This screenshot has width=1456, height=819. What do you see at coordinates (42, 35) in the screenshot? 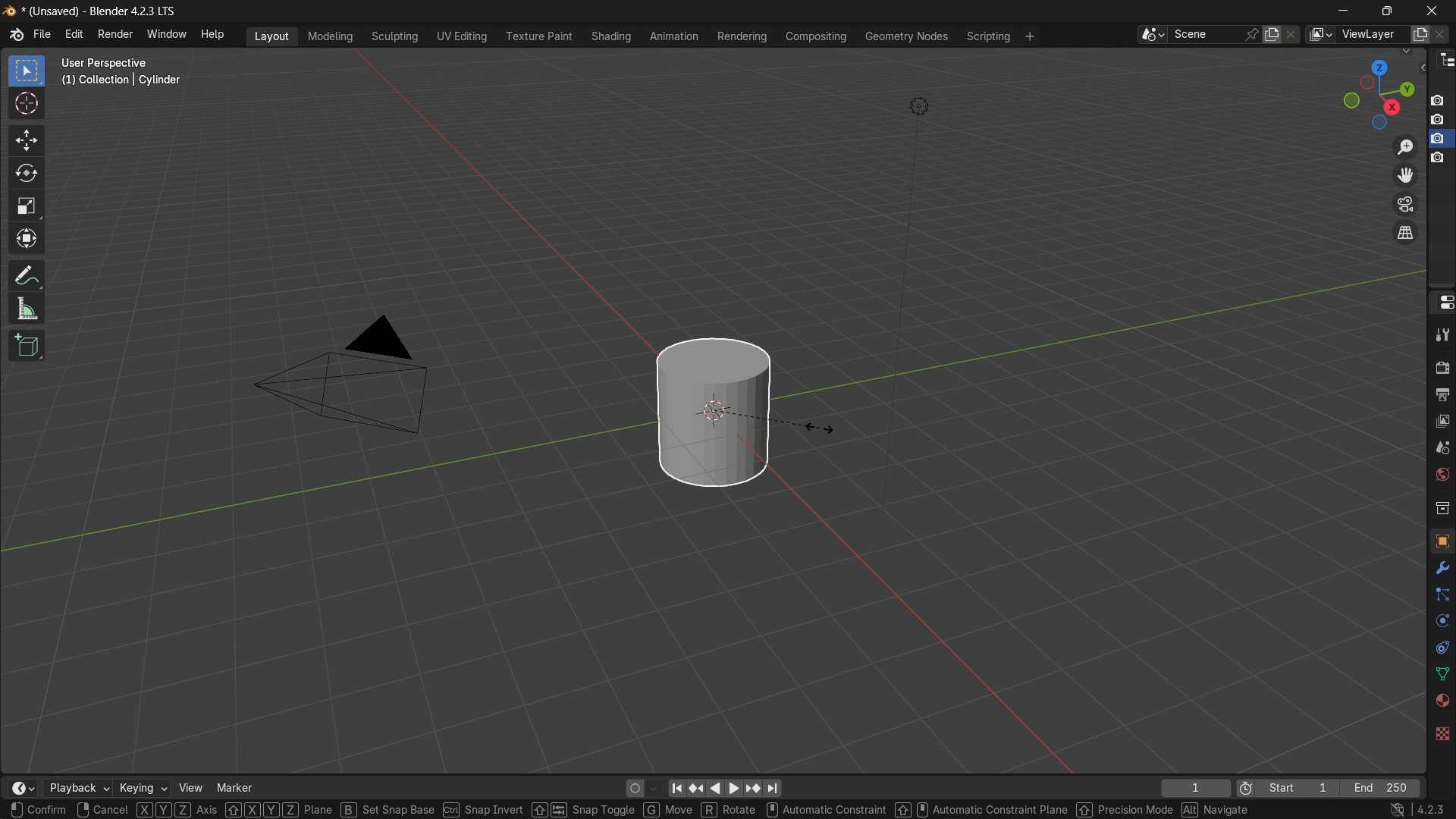
I see `file menu` at bounding box center [42, 35].